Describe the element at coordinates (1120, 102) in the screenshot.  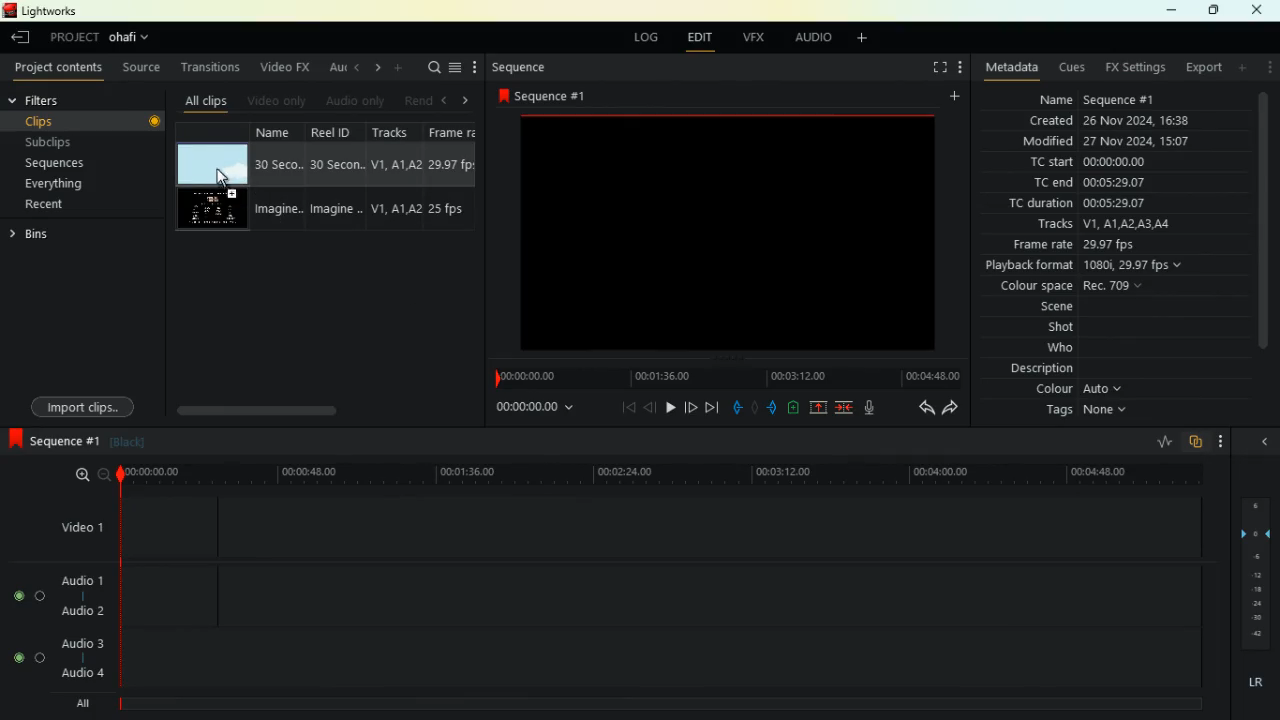
I see `Sequence #1` at that location.